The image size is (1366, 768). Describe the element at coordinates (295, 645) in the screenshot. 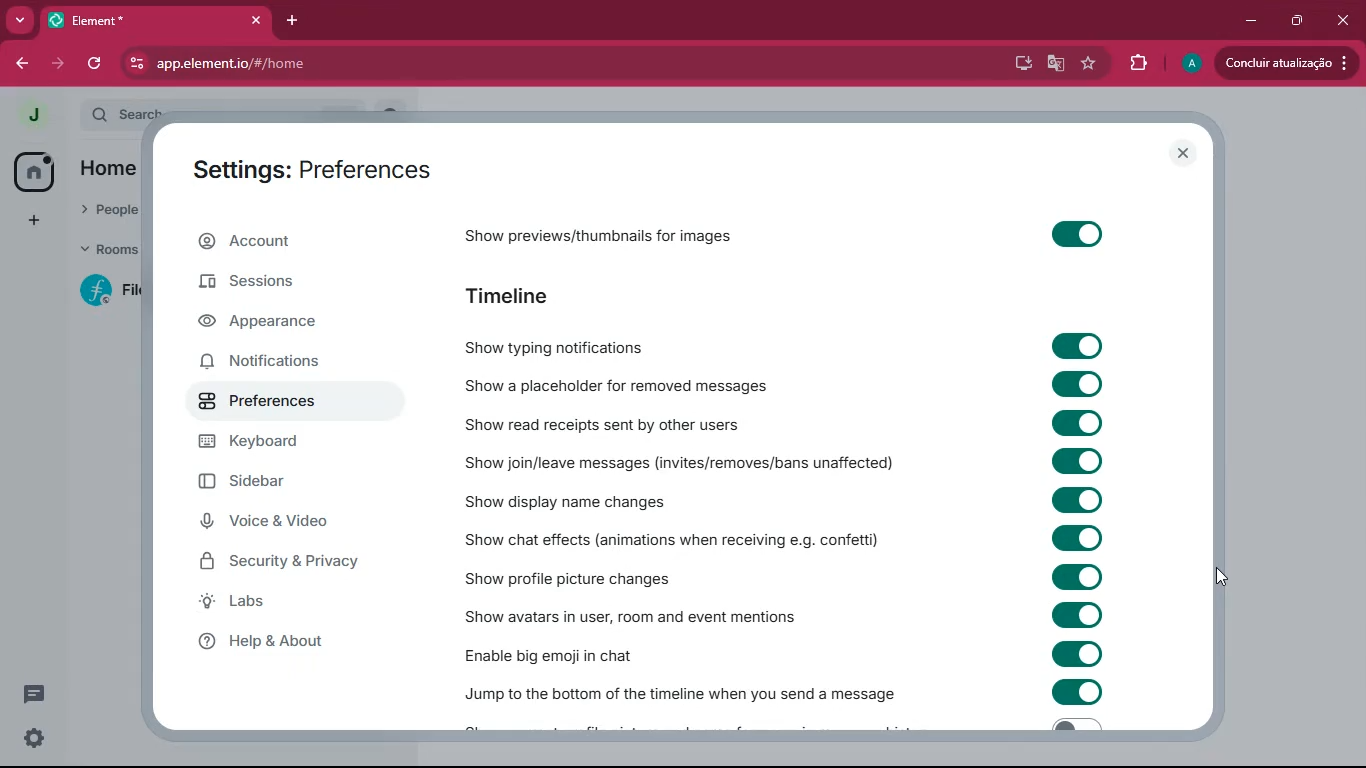

I see `help & about` at that location.